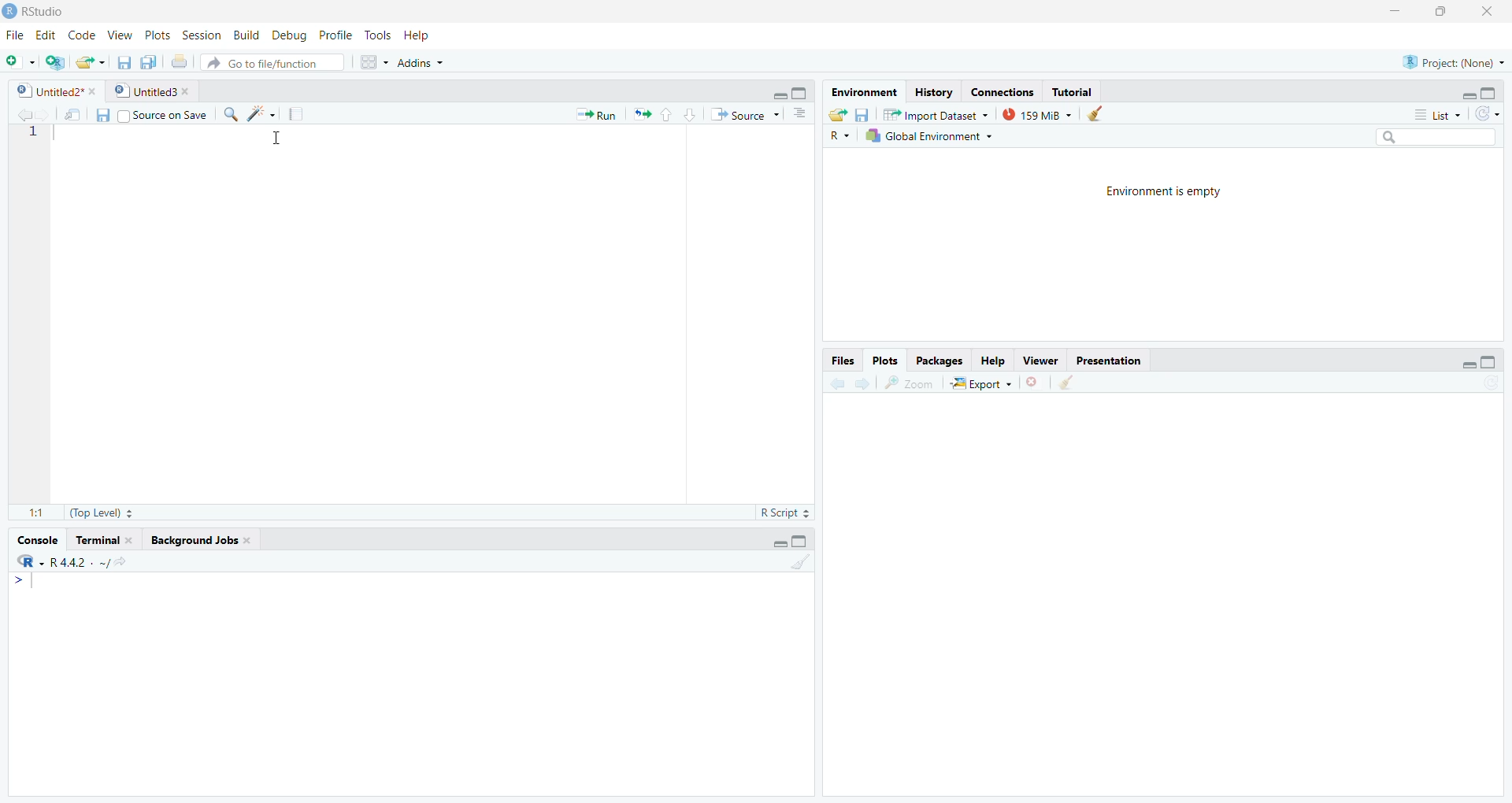 This screenshot has height=803, width=1512. Describe the element at coordinates (35, 132) in the screenshot. I see `1` at that location.